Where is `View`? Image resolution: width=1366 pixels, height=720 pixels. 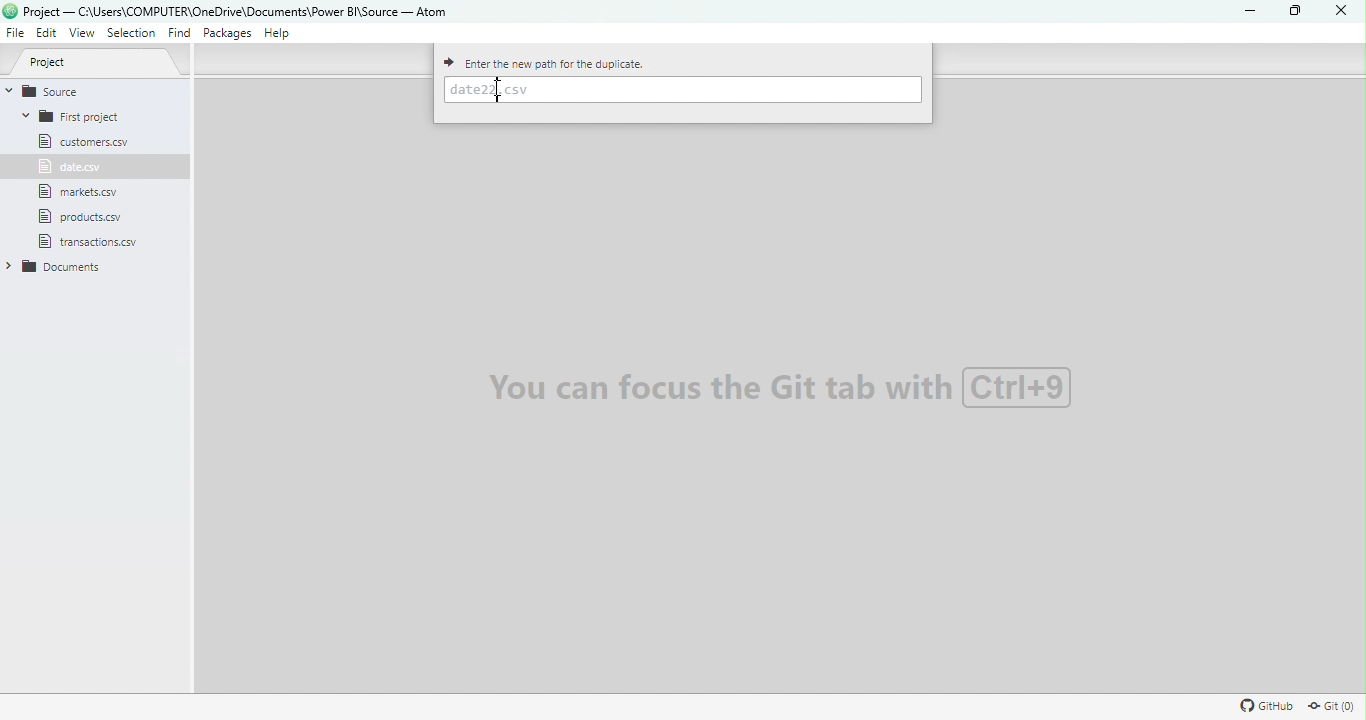
View is located at coordinates (84, 34).